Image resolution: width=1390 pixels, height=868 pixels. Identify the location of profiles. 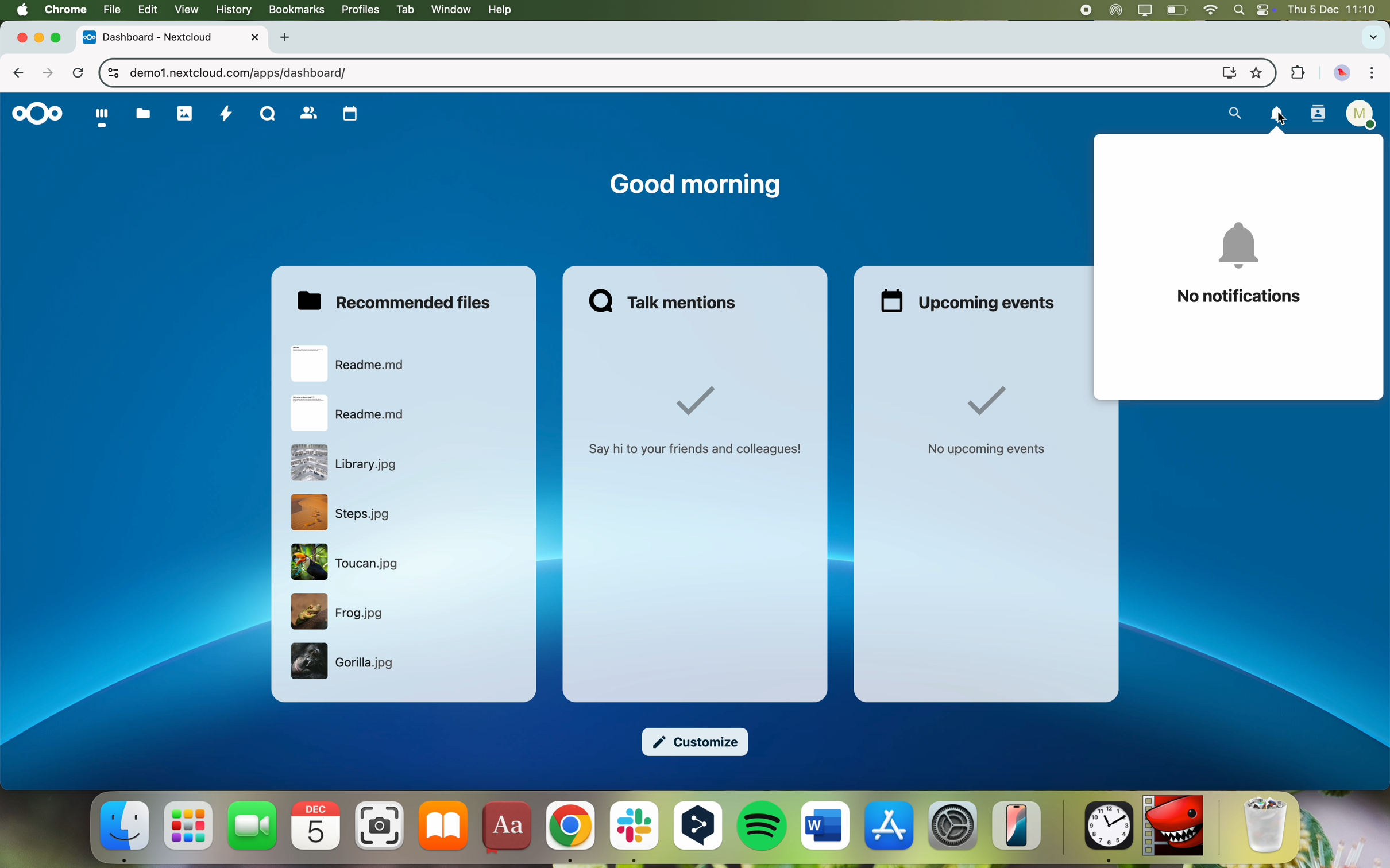
(359, 10).